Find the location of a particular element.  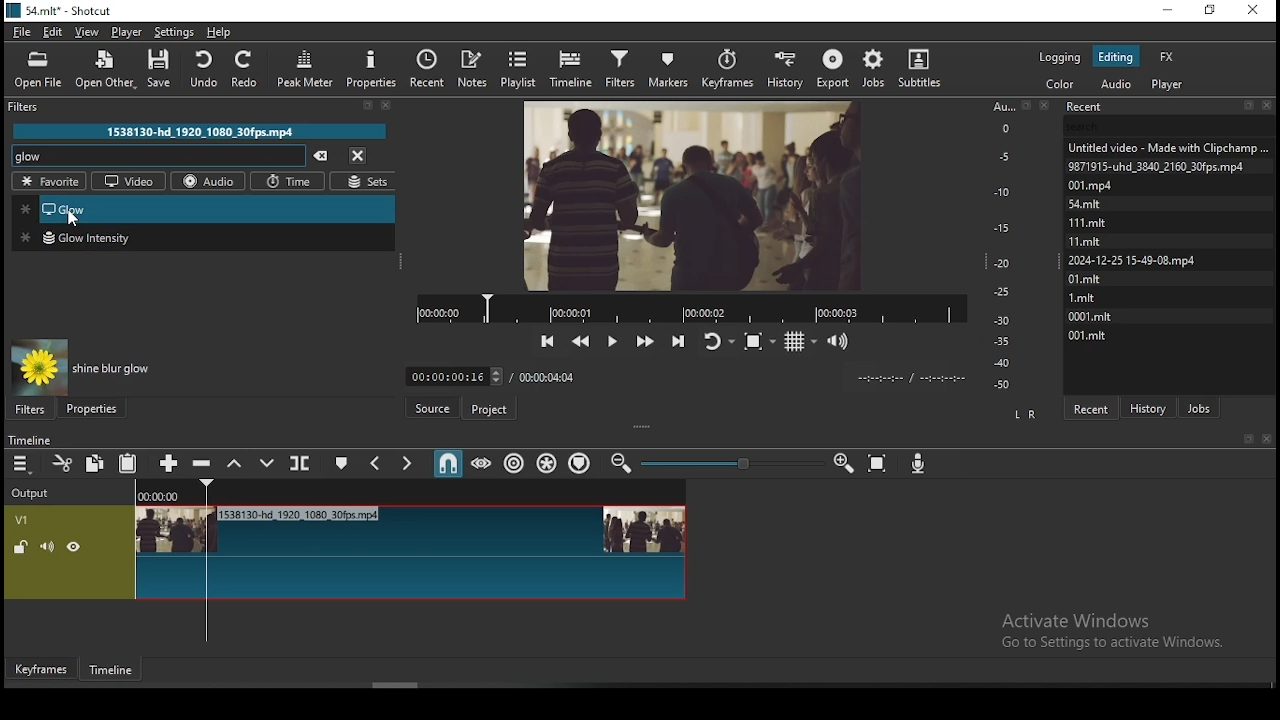

zoom timeline out is located at coordinates (843, 464).